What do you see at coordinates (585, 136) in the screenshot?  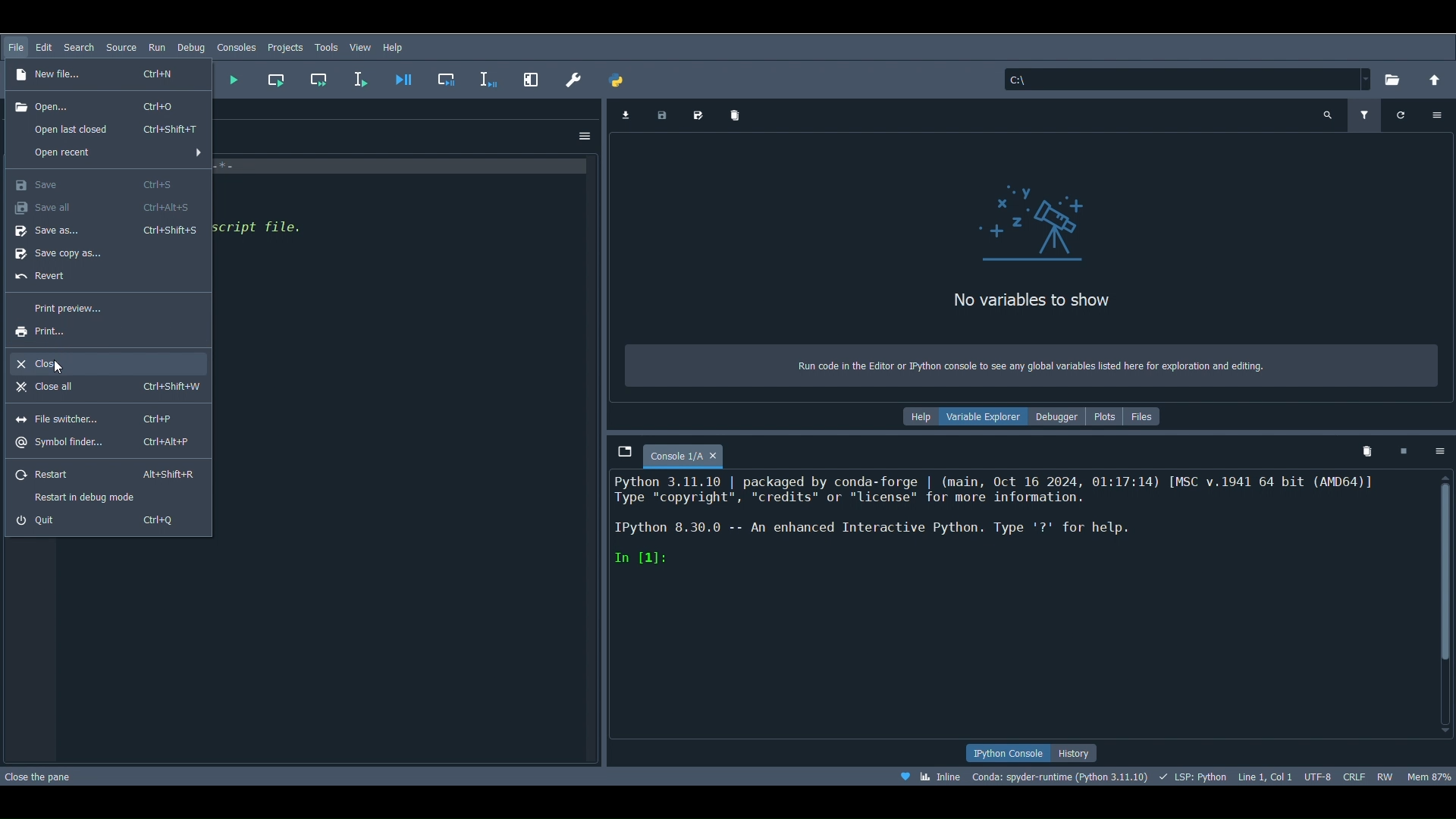 I see `Options` at bounding box center [585, 136].